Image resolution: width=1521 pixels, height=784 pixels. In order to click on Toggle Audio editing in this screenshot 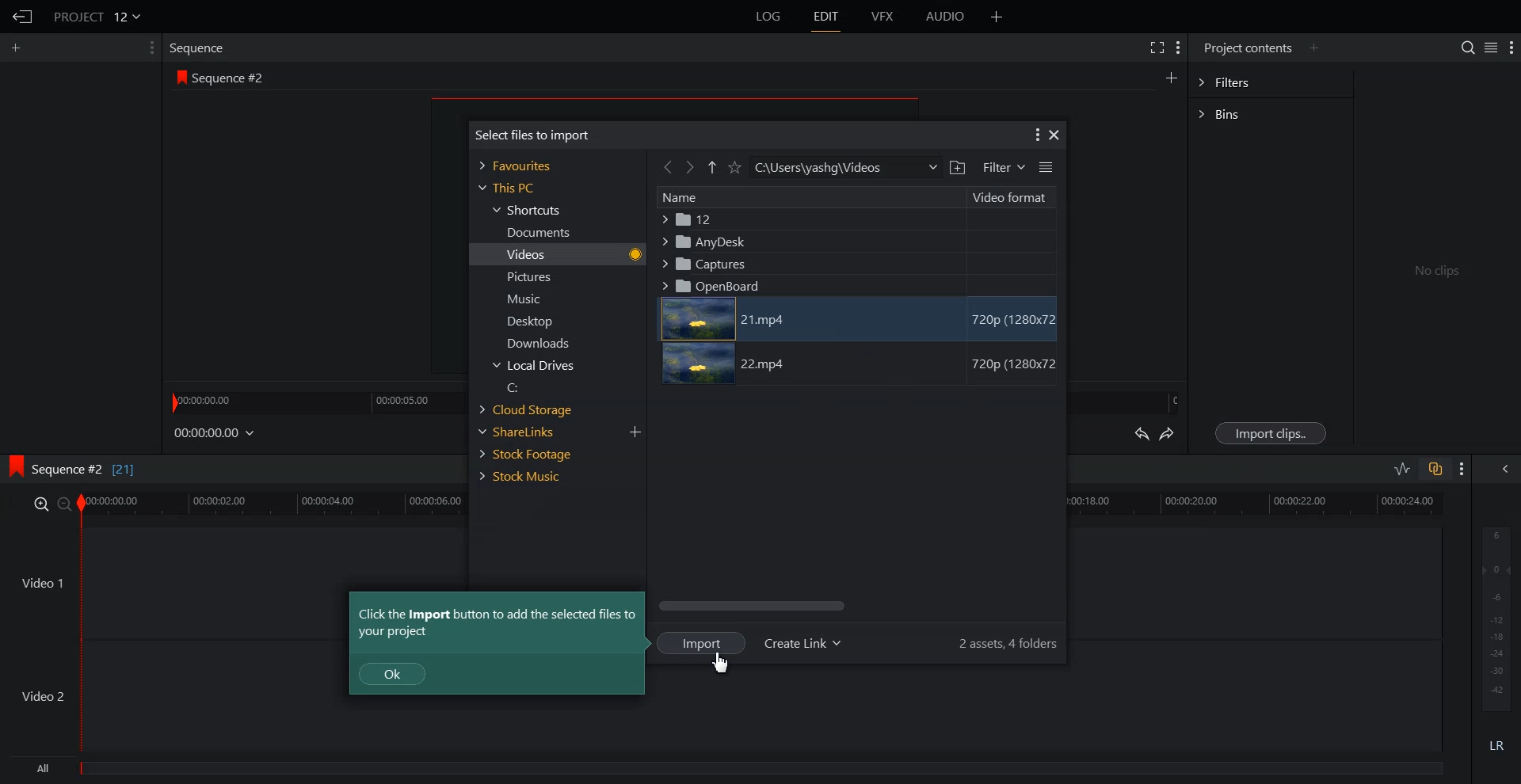, I will do `click(1403, 468)`.